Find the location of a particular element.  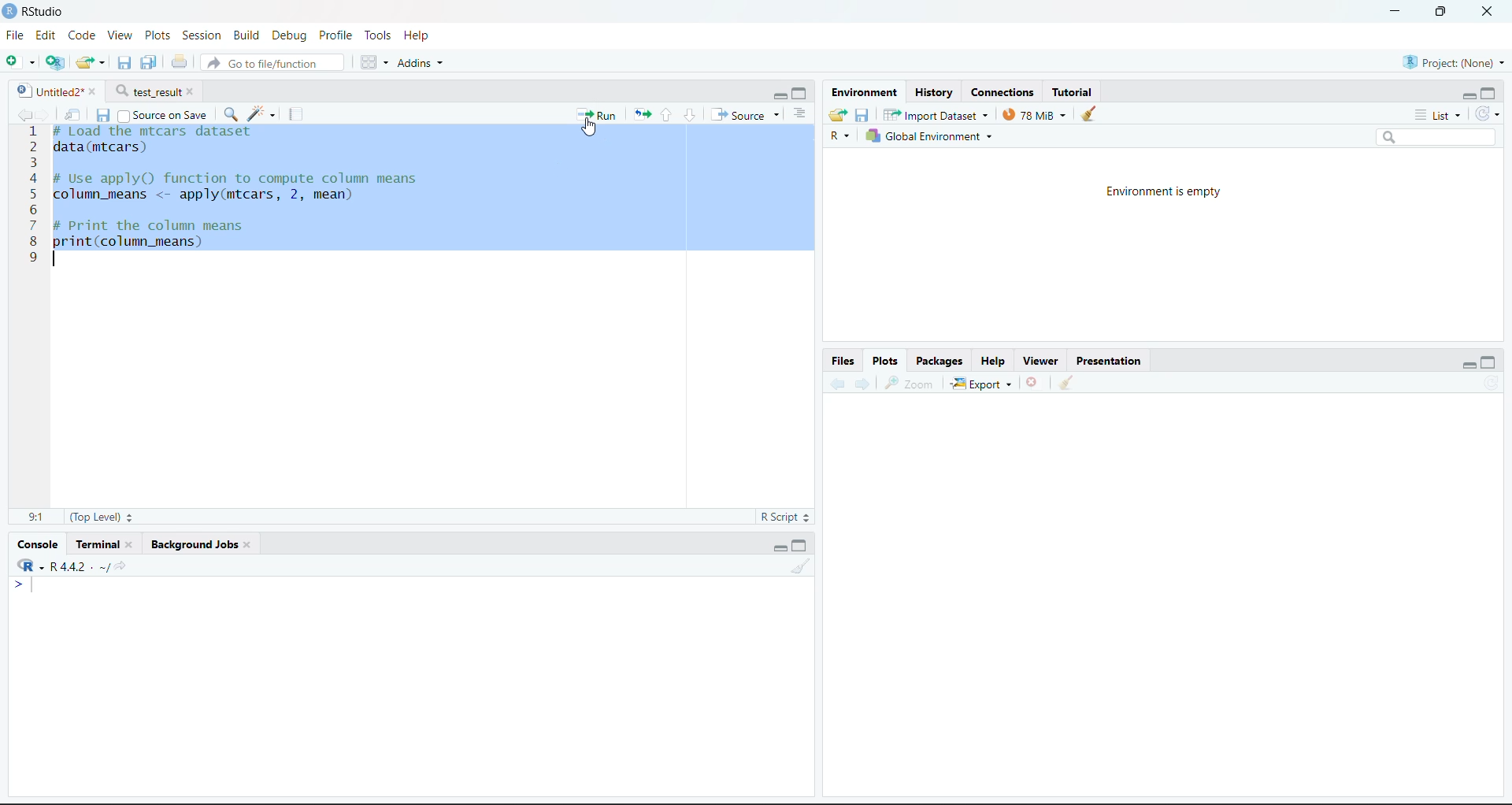

Minimize is located at coordinates (1459, 94).